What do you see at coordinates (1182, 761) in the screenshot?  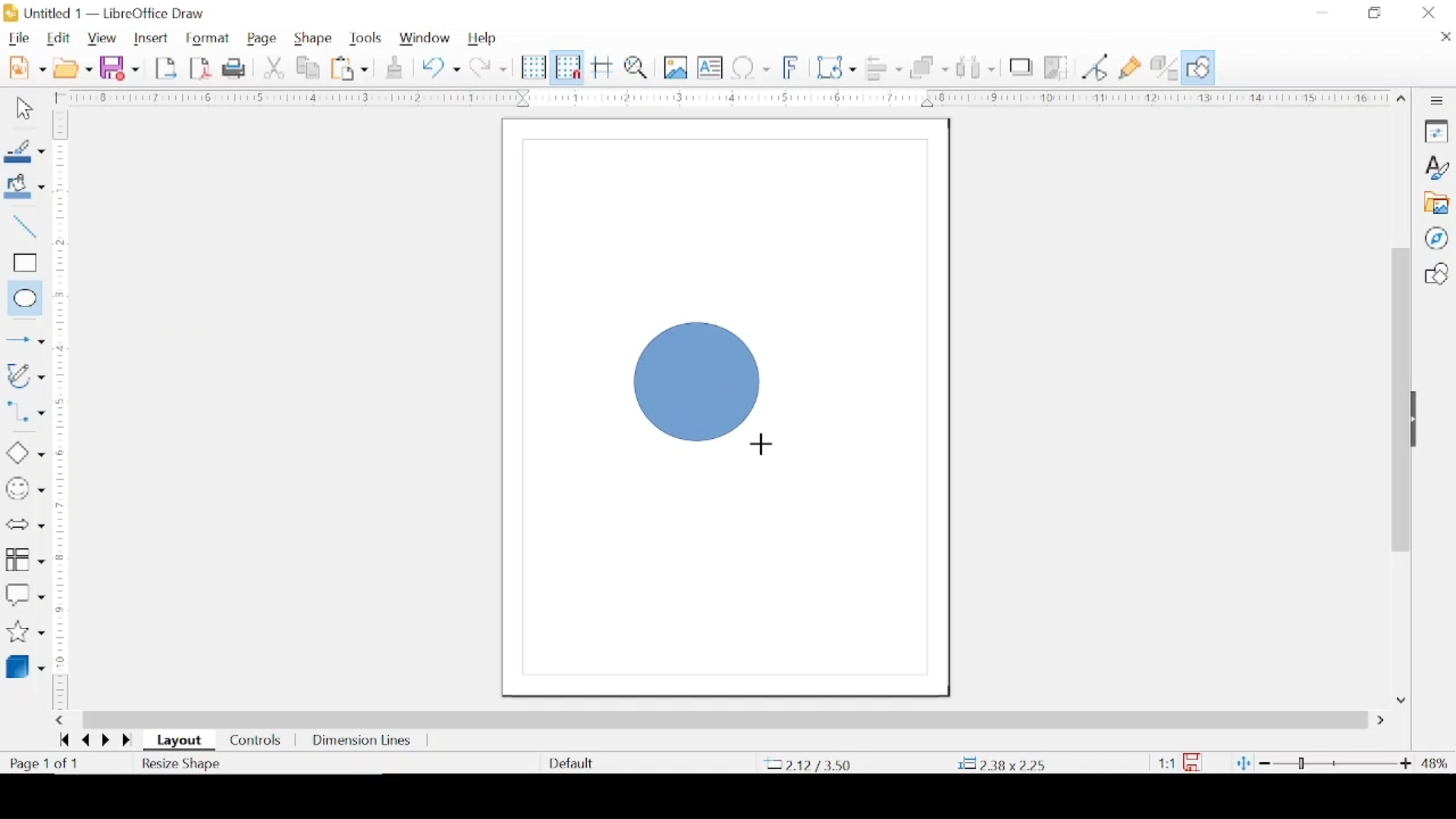 I see `this document has been modified` at bounding box center [1182, 761].